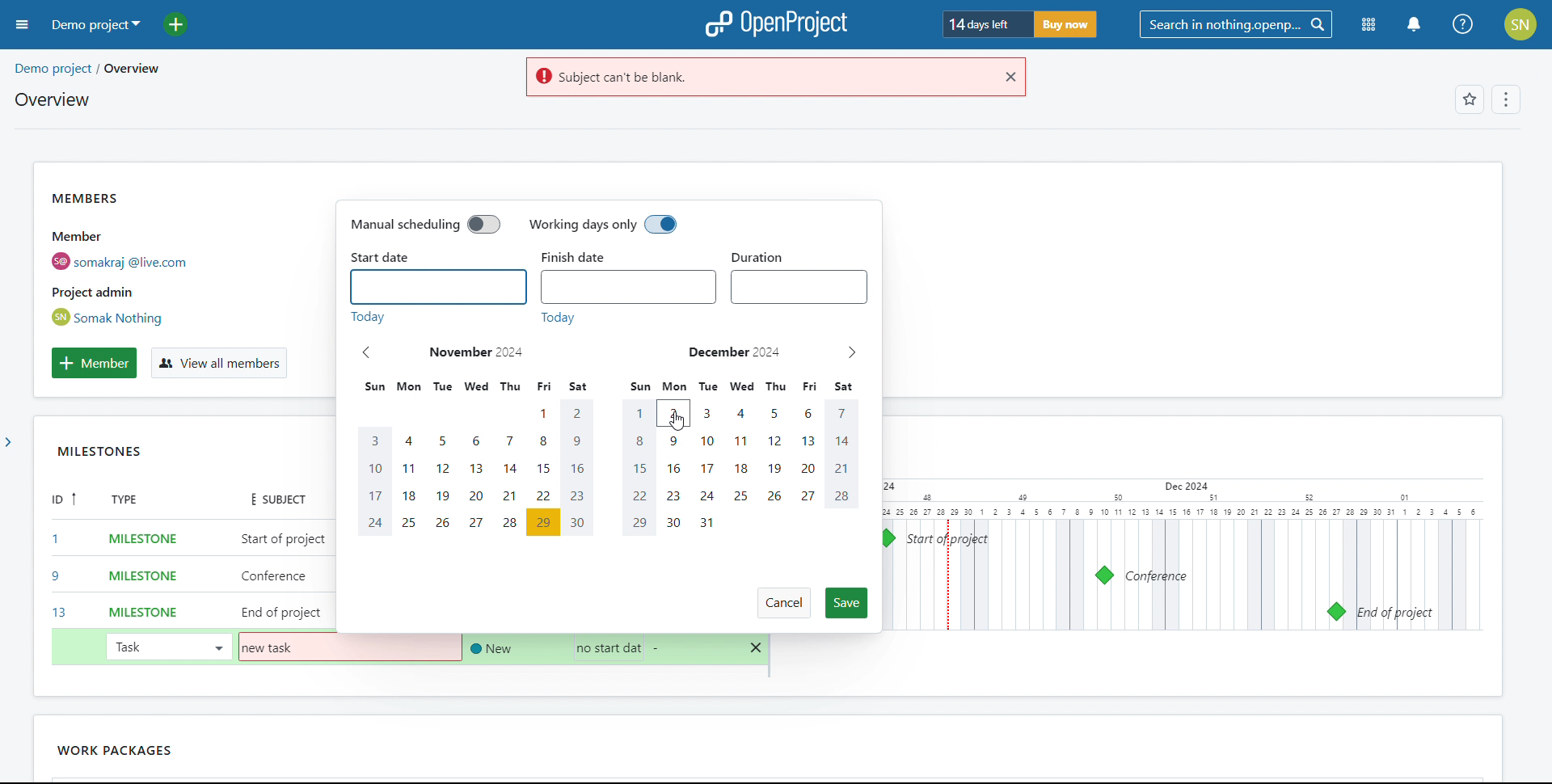 This screenshot has width=1552, height=784. I want to click on subject added, so click(272, 648).